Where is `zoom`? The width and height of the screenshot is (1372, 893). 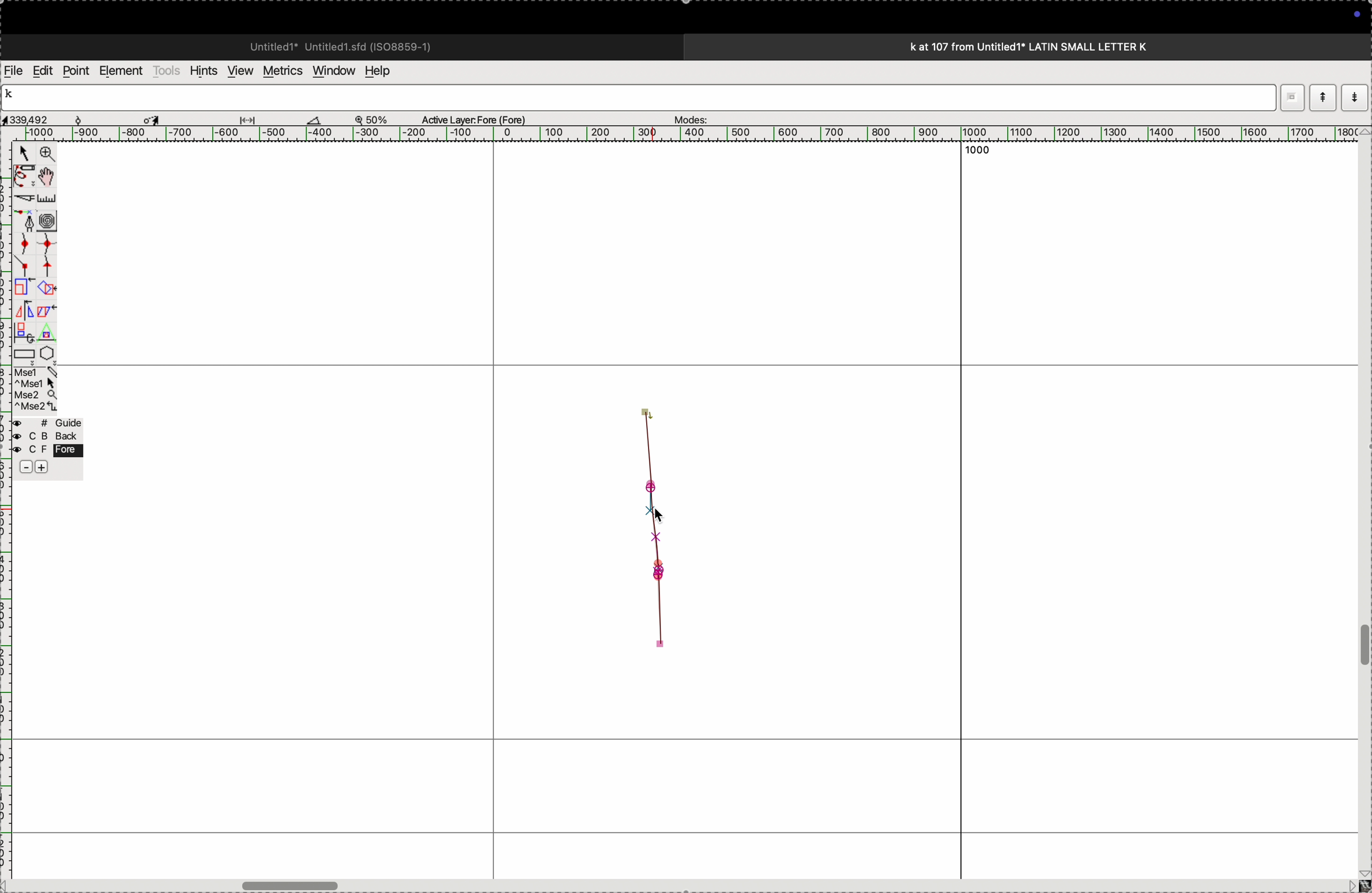 zoom is located at coordinates (377, 119).